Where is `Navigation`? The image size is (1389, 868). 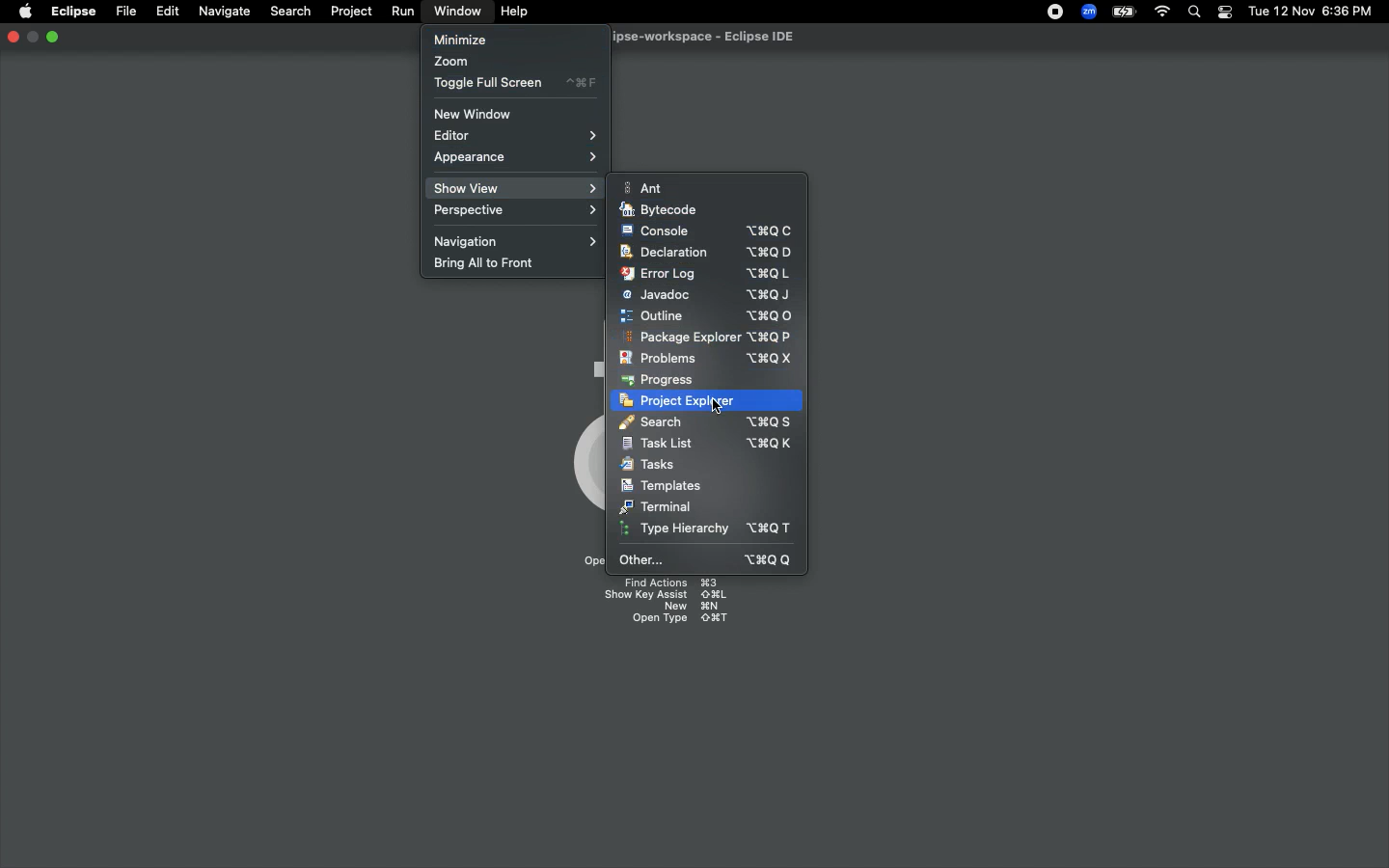 Navigation is located at coordinates (518, 240).